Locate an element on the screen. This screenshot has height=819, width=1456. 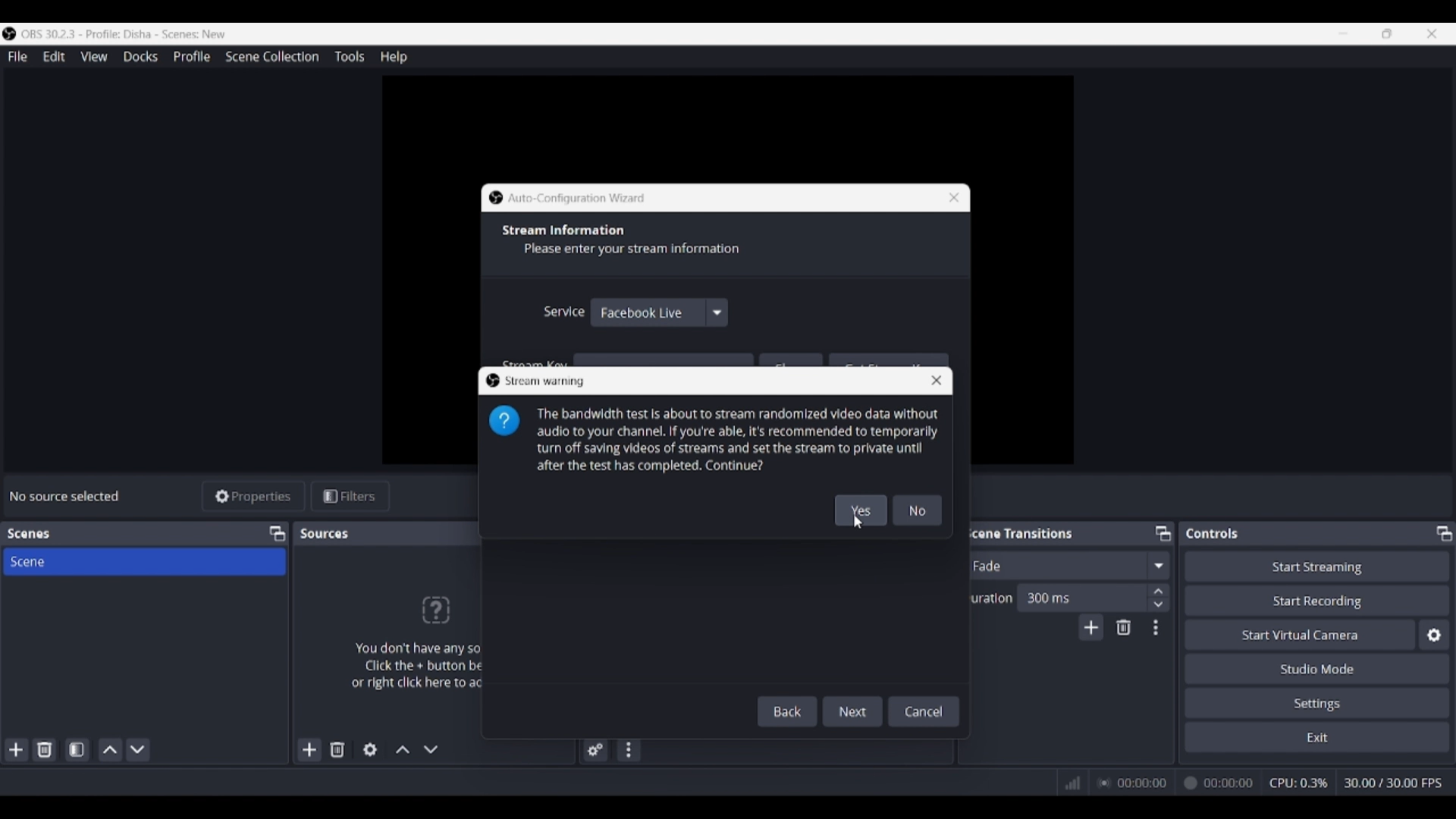
Source status is located at coordinates (67, 496).